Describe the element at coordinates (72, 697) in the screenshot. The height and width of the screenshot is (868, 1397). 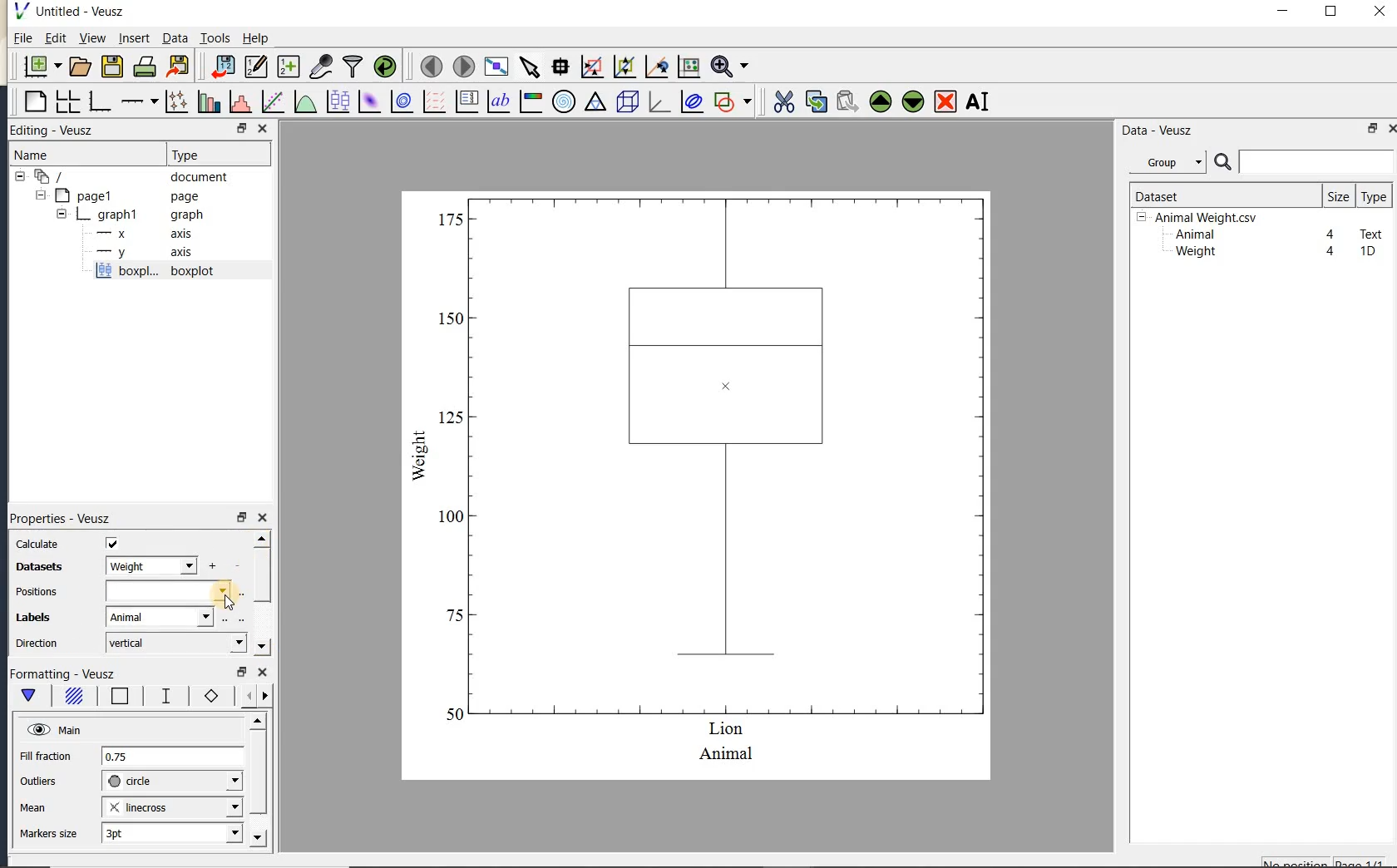
I see `box fill` at that location.